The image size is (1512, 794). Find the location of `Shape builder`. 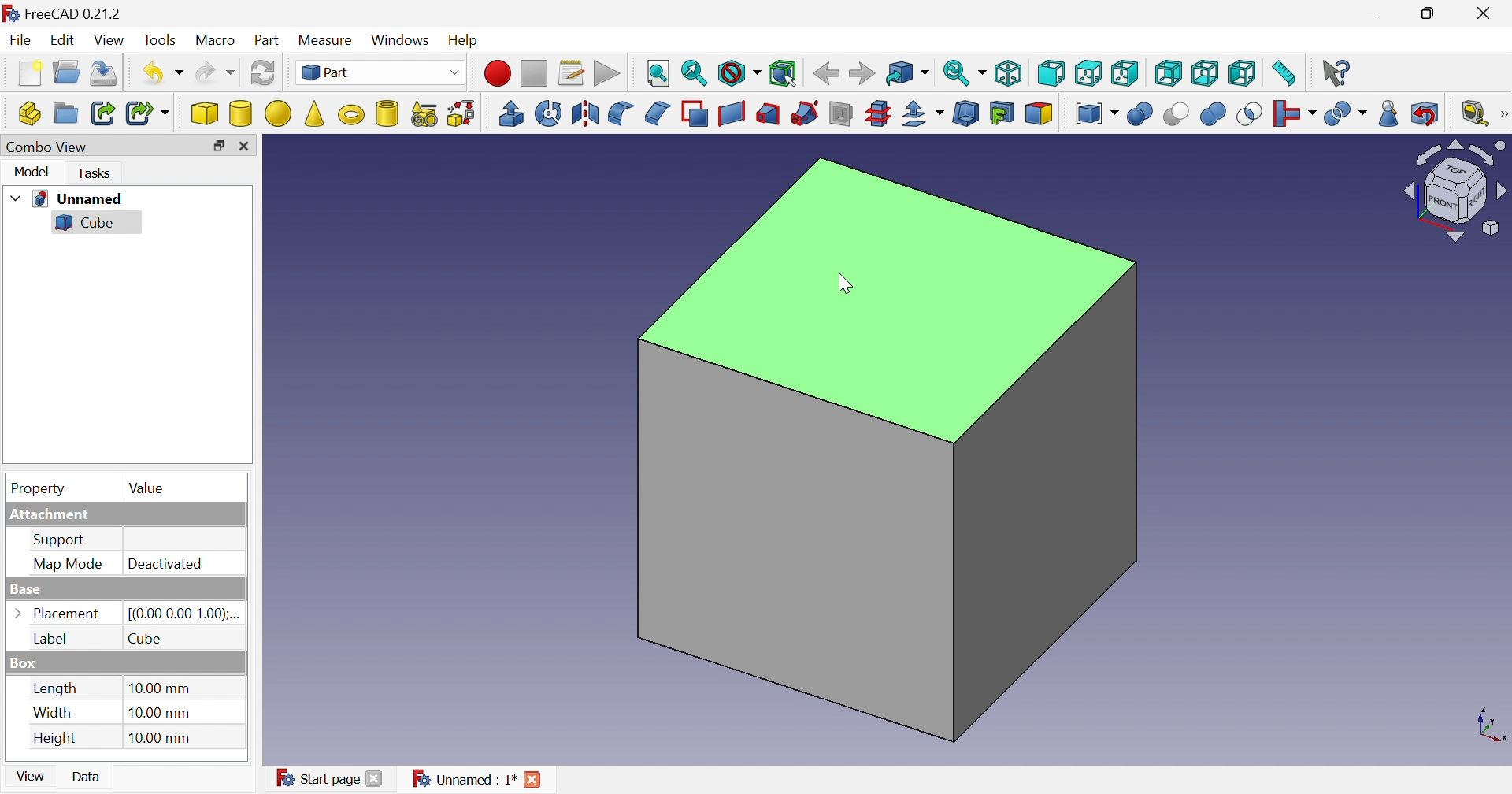

Shape builder is located at coordinates (463, 114).